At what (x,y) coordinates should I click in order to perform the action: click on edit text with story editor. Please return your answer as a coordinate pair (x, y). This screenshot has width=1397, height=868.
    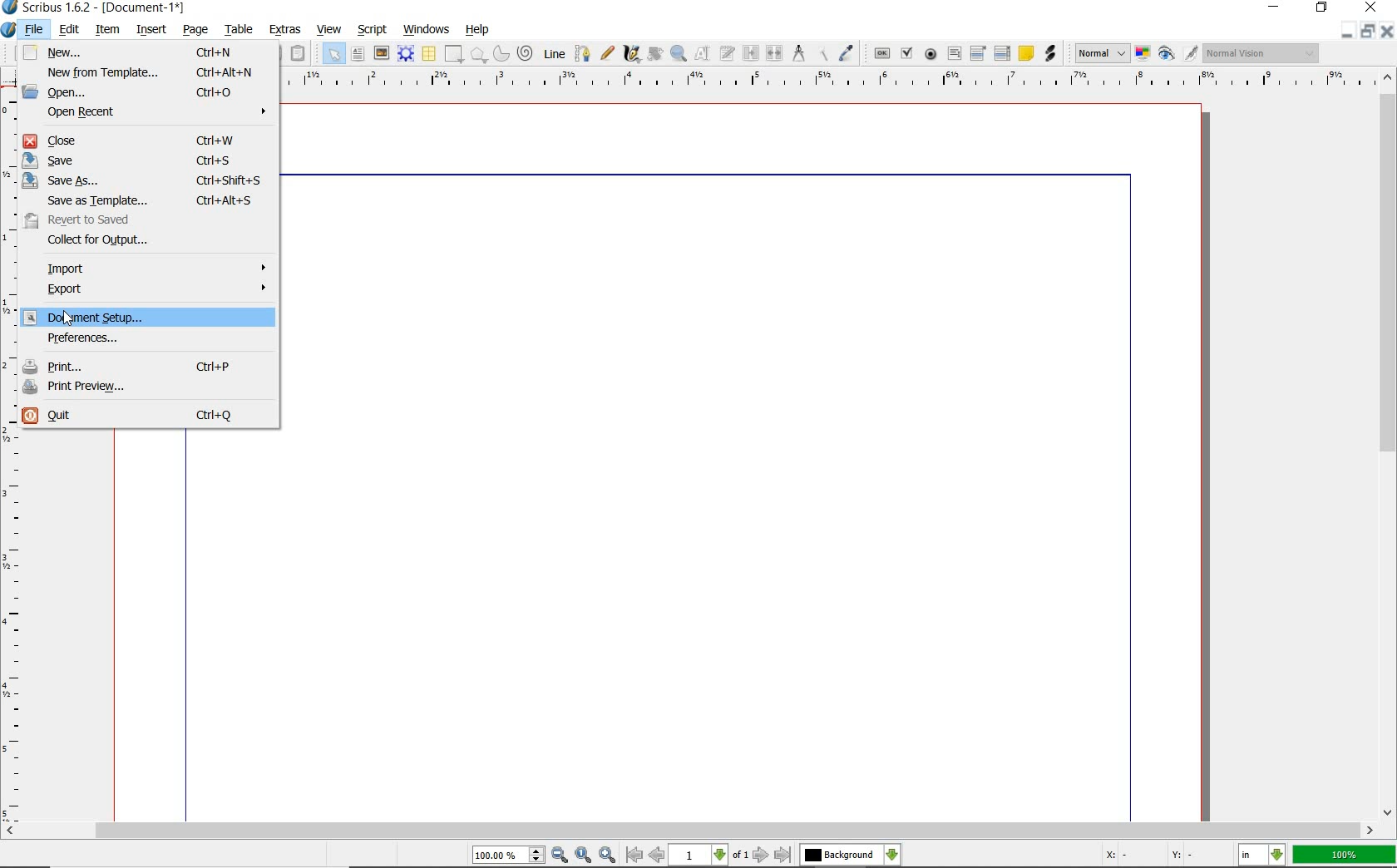
    Looking at the image, I should click on (728, 55).